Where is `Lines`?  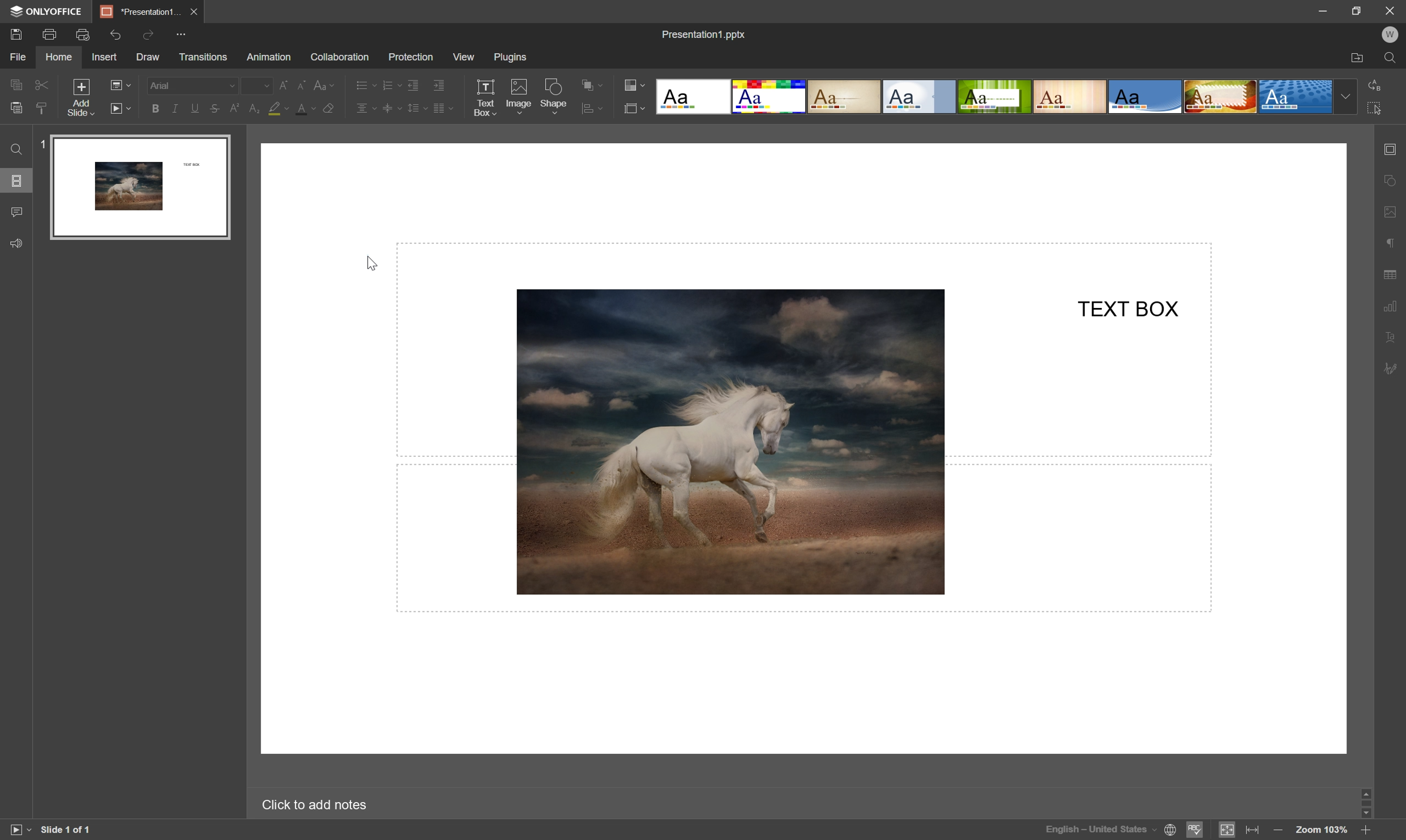 Lines is located at coordinates (1070, 96).